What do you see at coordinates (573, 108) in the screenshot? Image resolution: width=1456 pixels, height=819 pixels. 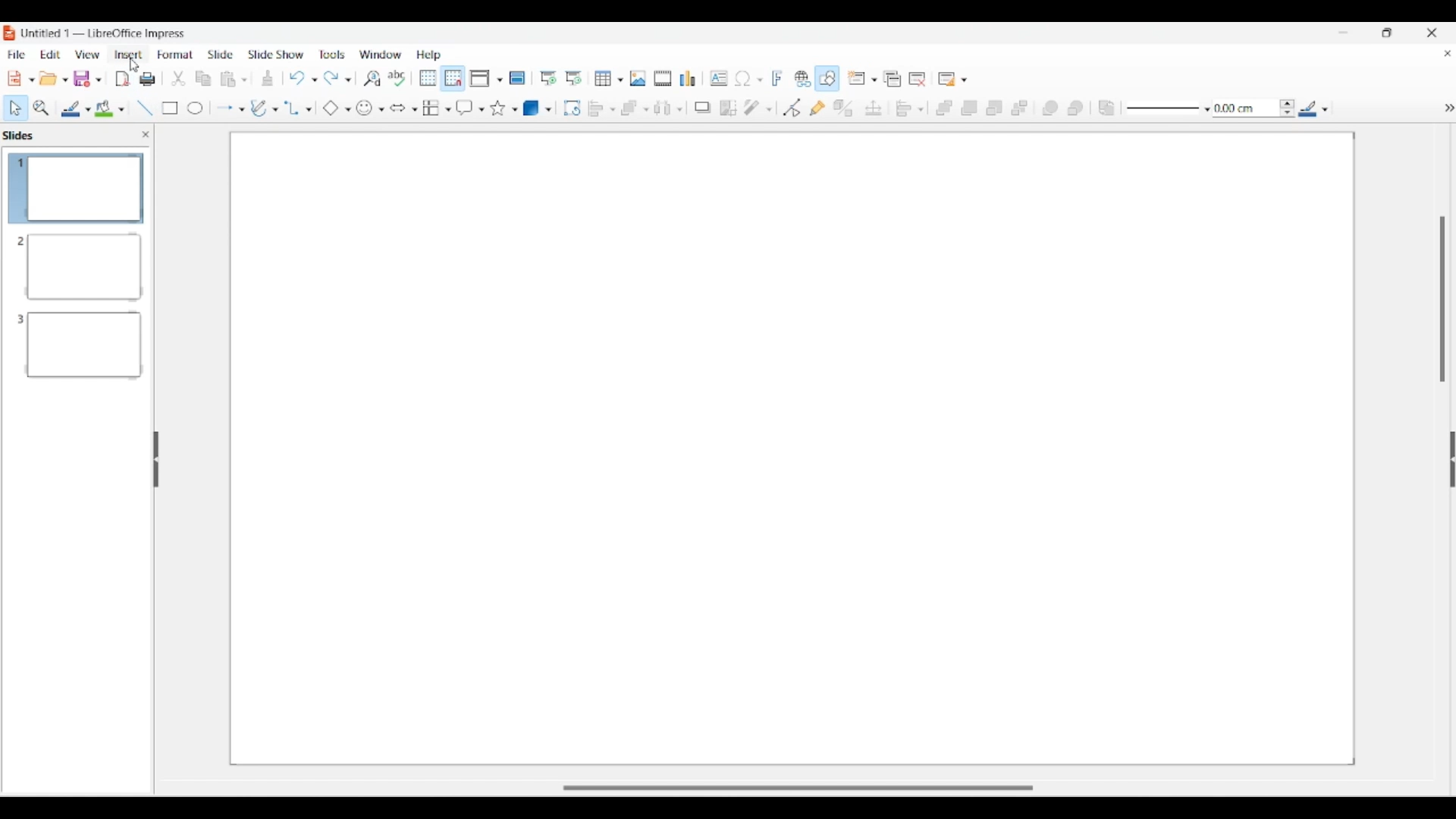 I see `Rotate` at bounding box center [573, 108].